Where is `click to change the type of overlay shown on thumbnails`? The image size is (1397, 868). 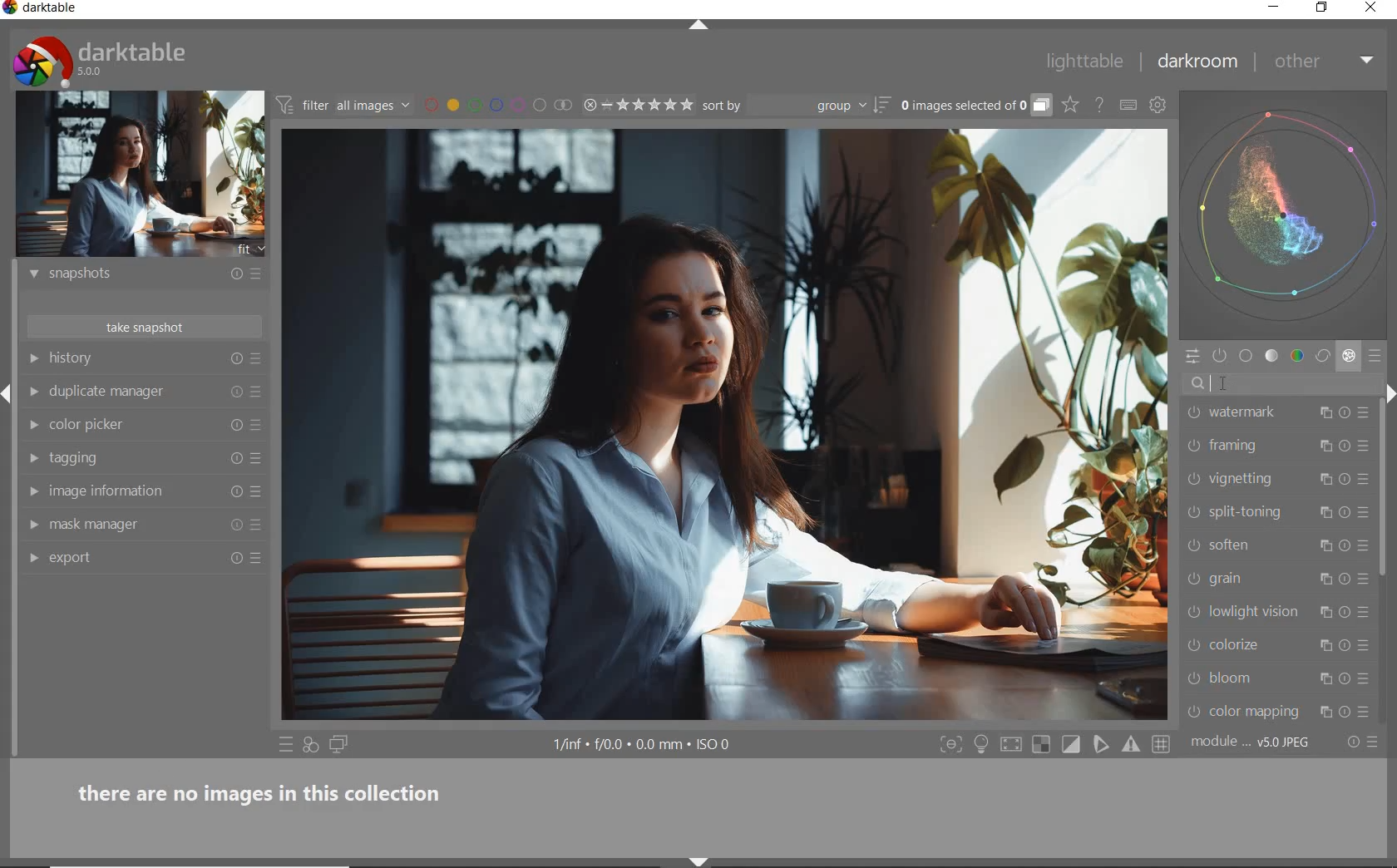
click to change the type of overlay shown on thumbnails is located at coordinates (1071, 106).